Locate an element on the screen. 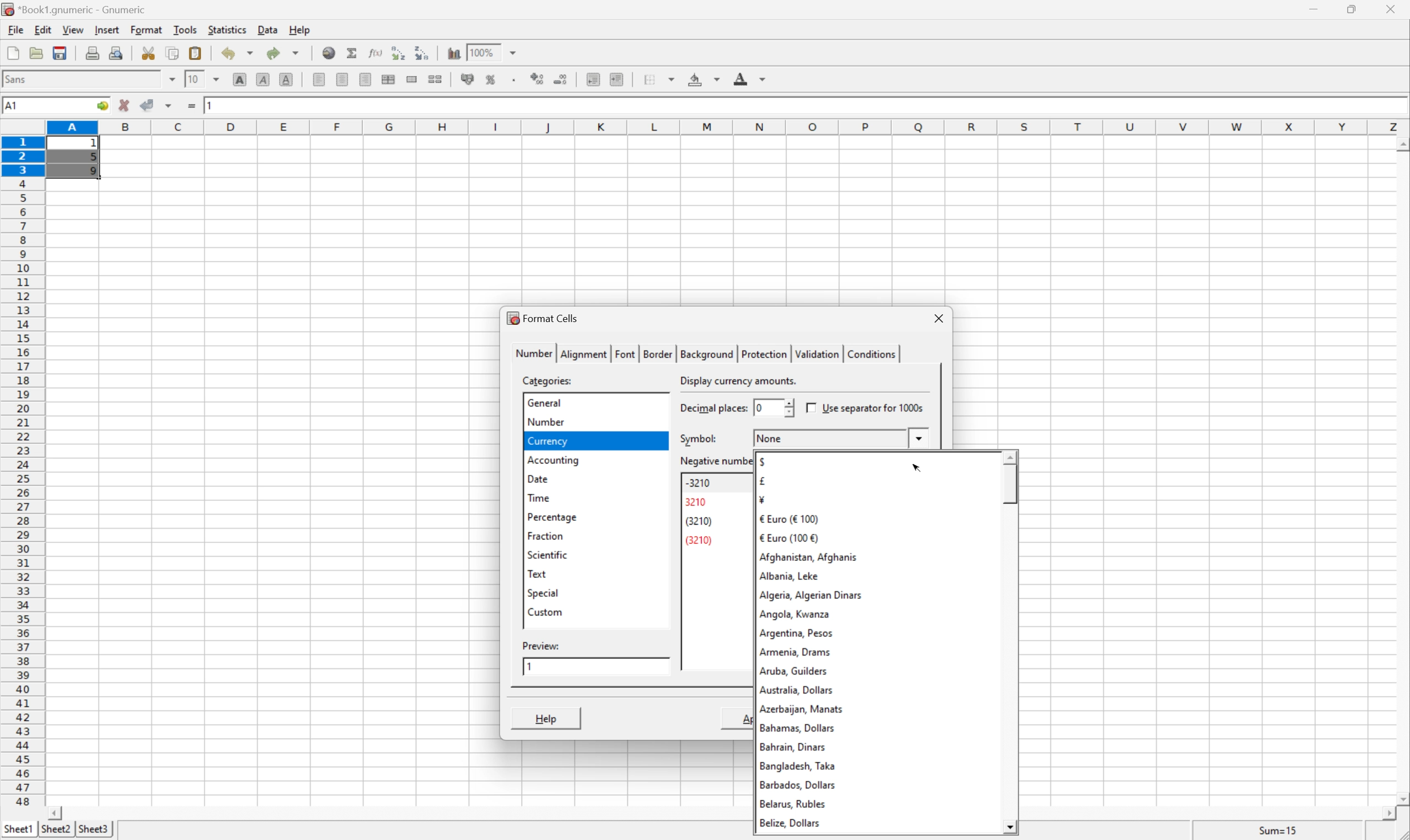  (3210) is located at coordinates (702, 540).